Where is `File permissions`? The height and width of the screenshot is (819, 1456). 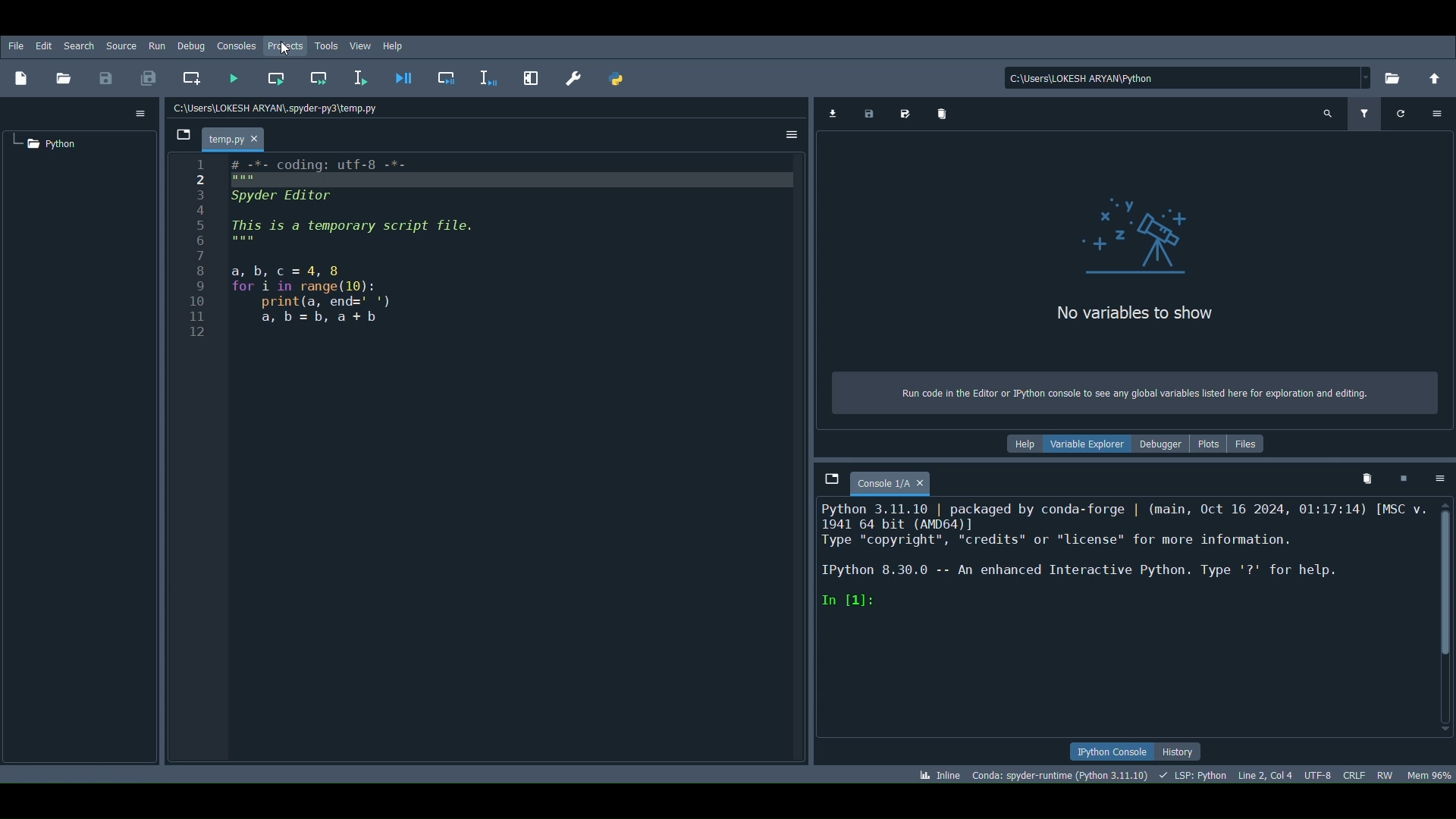
File permissions is located at coordinates (1385, 774).